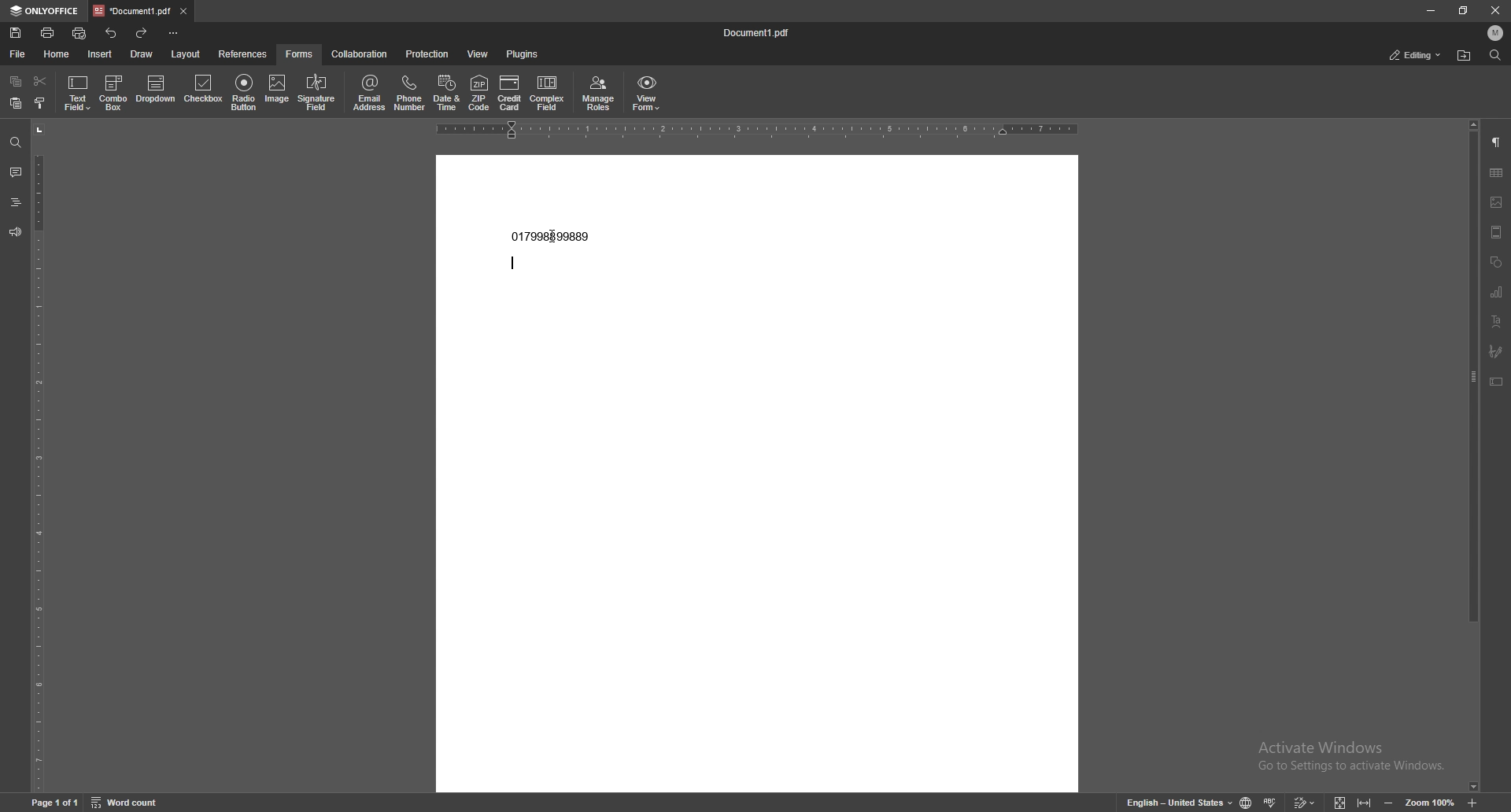 Image resolution: width=1511 pixels, height=812 pixels. Describe the element at coordinates (1495, 142) in the screenshot. I see `paragraph` at that location.